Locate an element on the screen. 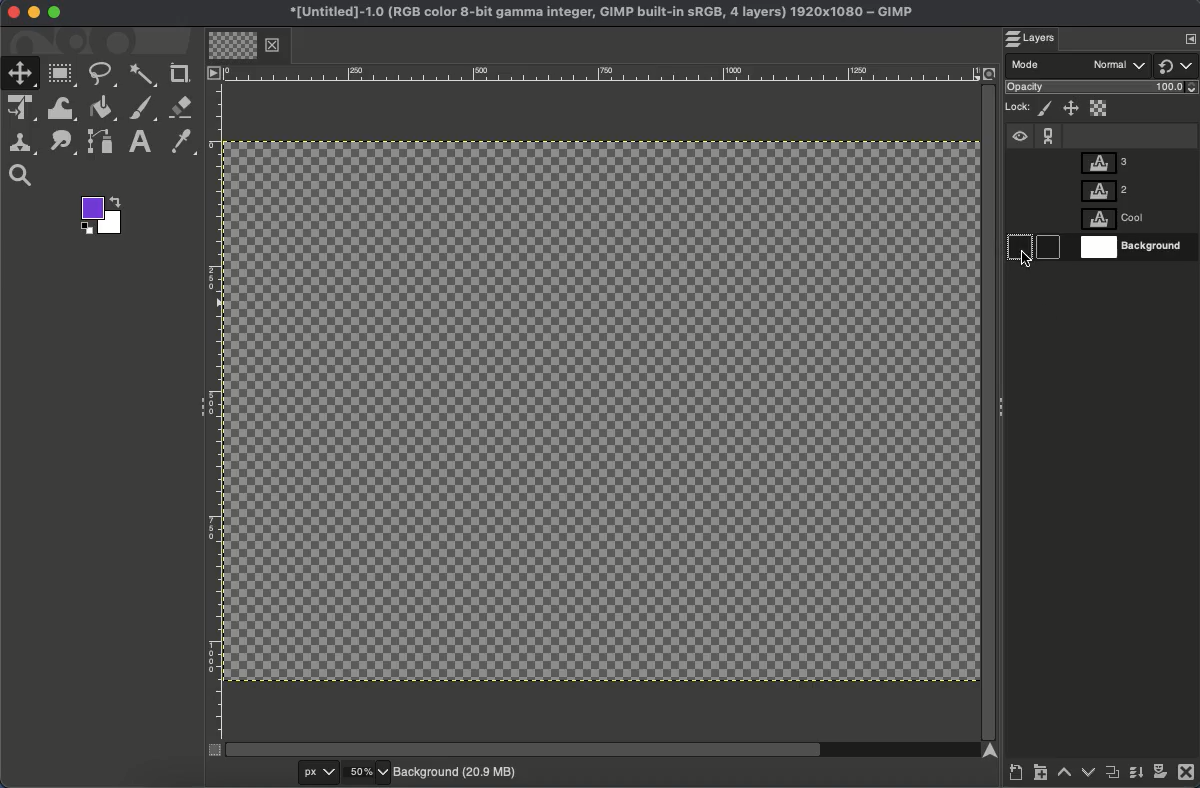 Image resolution: width=1200 pixels, height=788 pixels. Rectangular select is located at coordinates (63, 74).